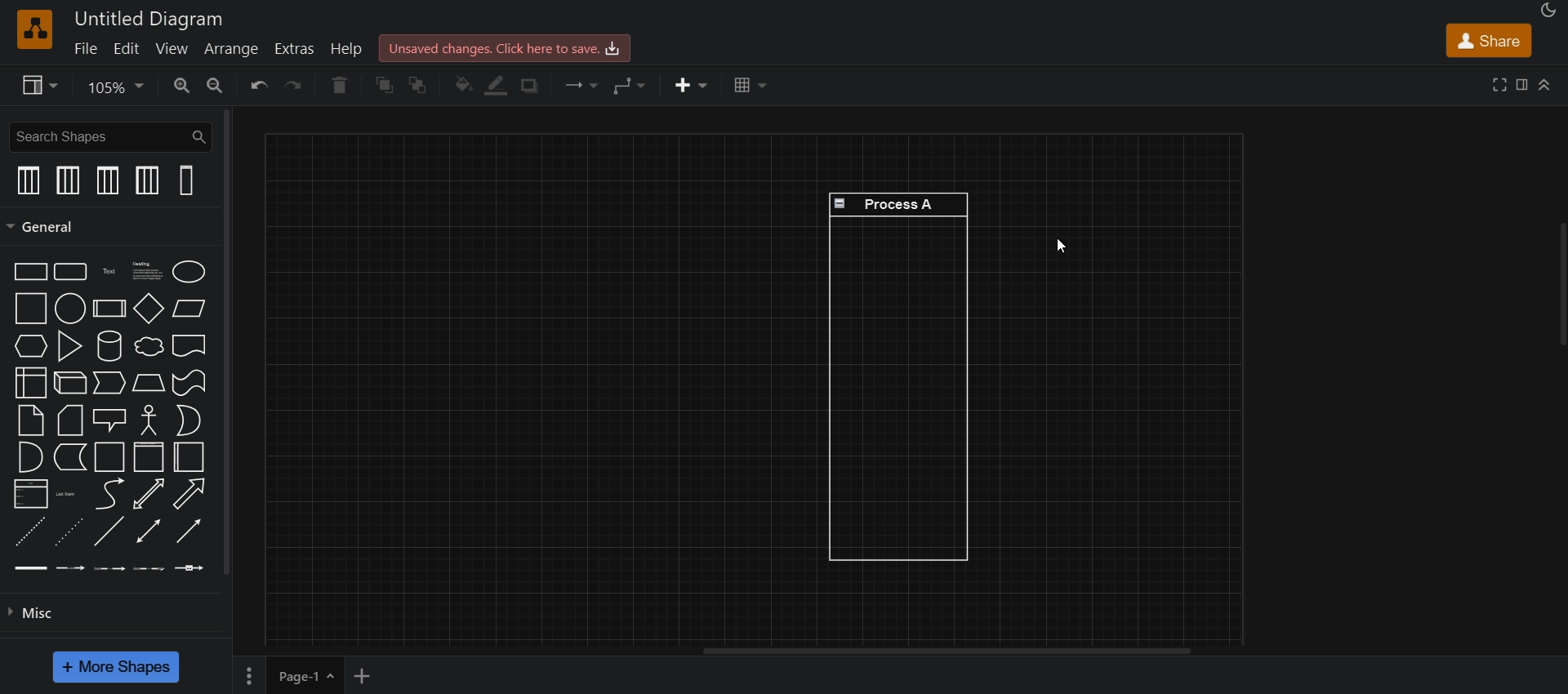  Describe the element at coordinates (373, 674) in the screenshot. I see `add new page` at that location.